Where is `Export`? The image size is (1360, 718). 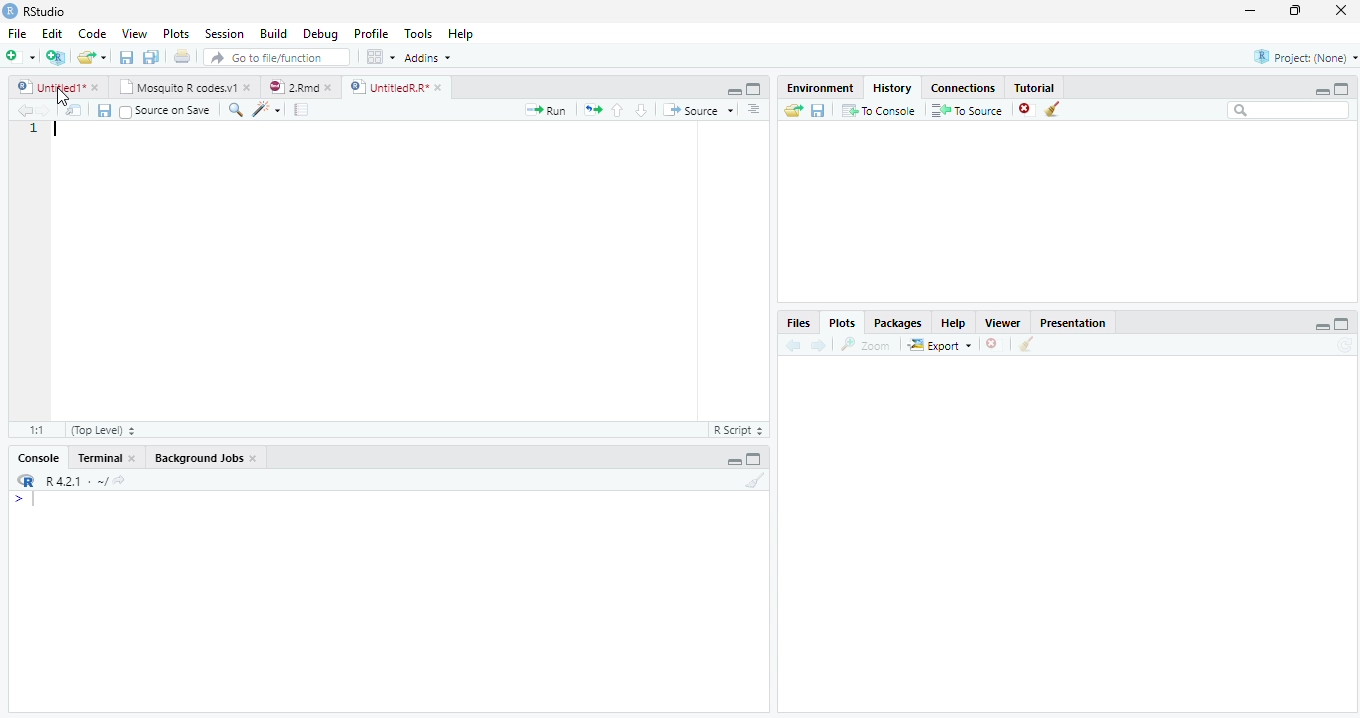
Export is located at coordinates (938, 345).